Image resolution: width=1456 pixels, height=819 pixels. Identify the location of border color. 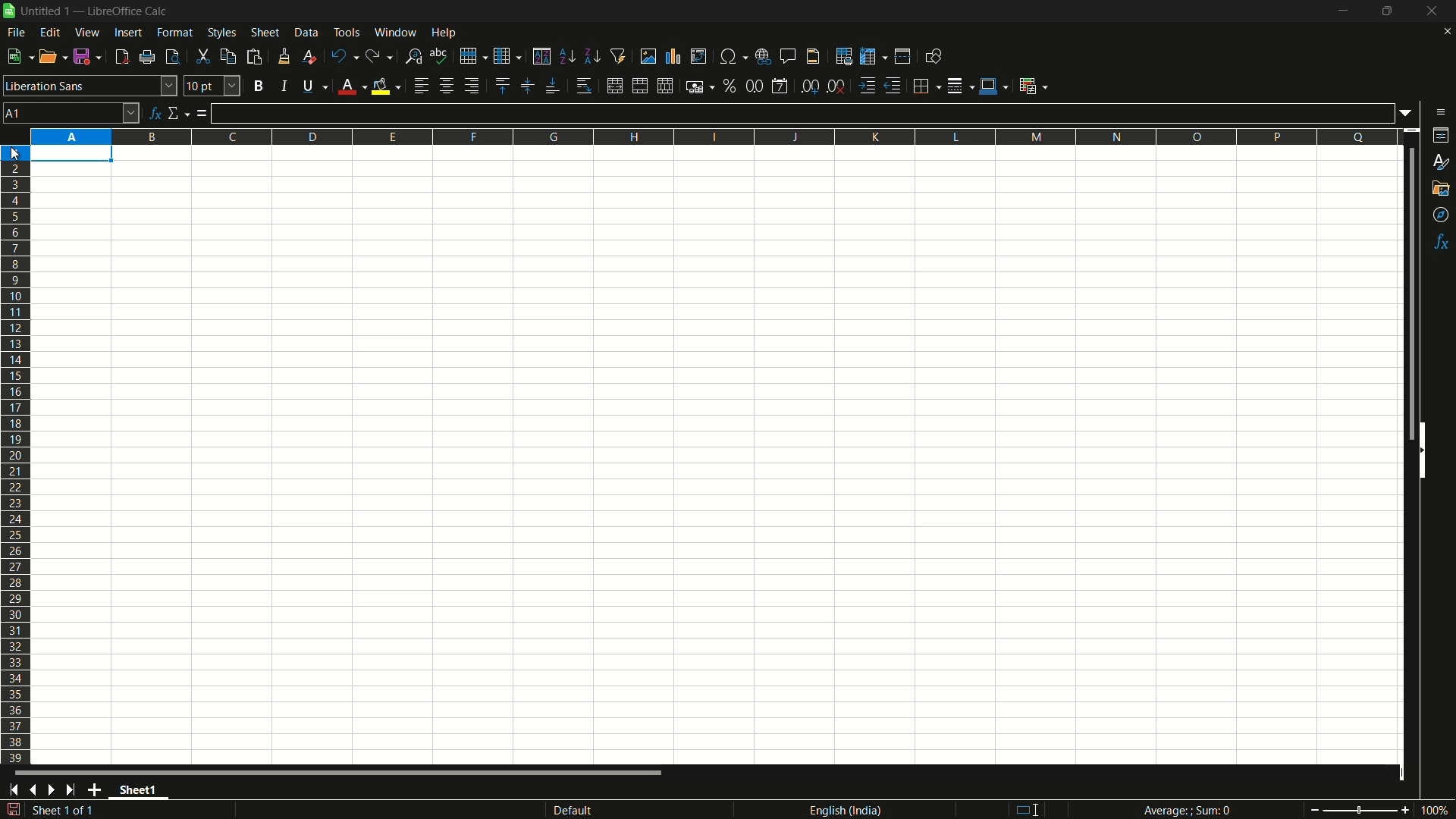
(993, 83).